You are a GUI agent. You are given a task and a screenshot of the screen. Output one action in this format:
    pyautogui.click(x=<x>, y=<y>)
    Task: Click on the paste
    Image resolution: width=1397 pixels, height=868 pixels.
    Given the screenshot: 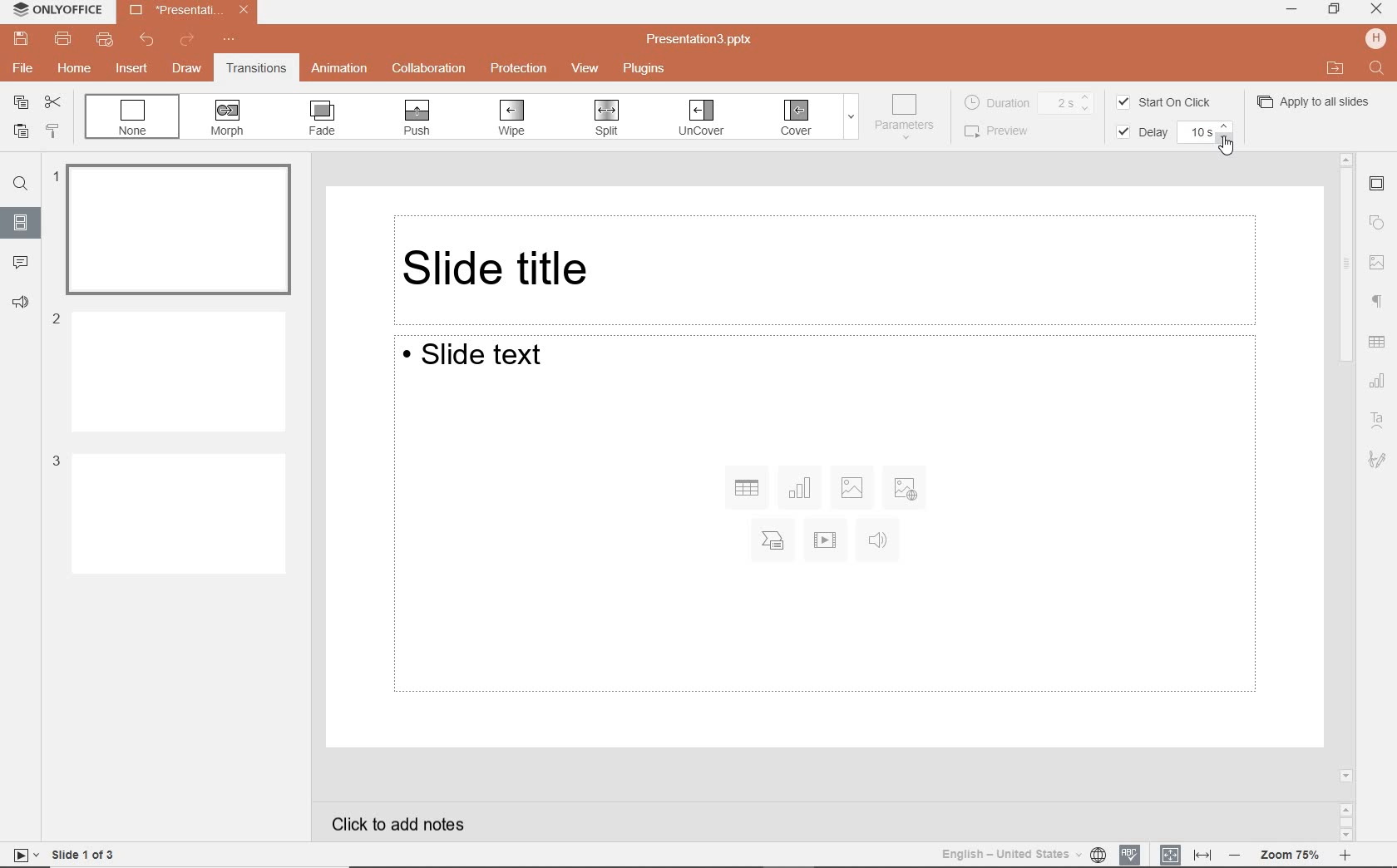 What is the action you would take?
    pyautogui.click(x=18, y=132)
    